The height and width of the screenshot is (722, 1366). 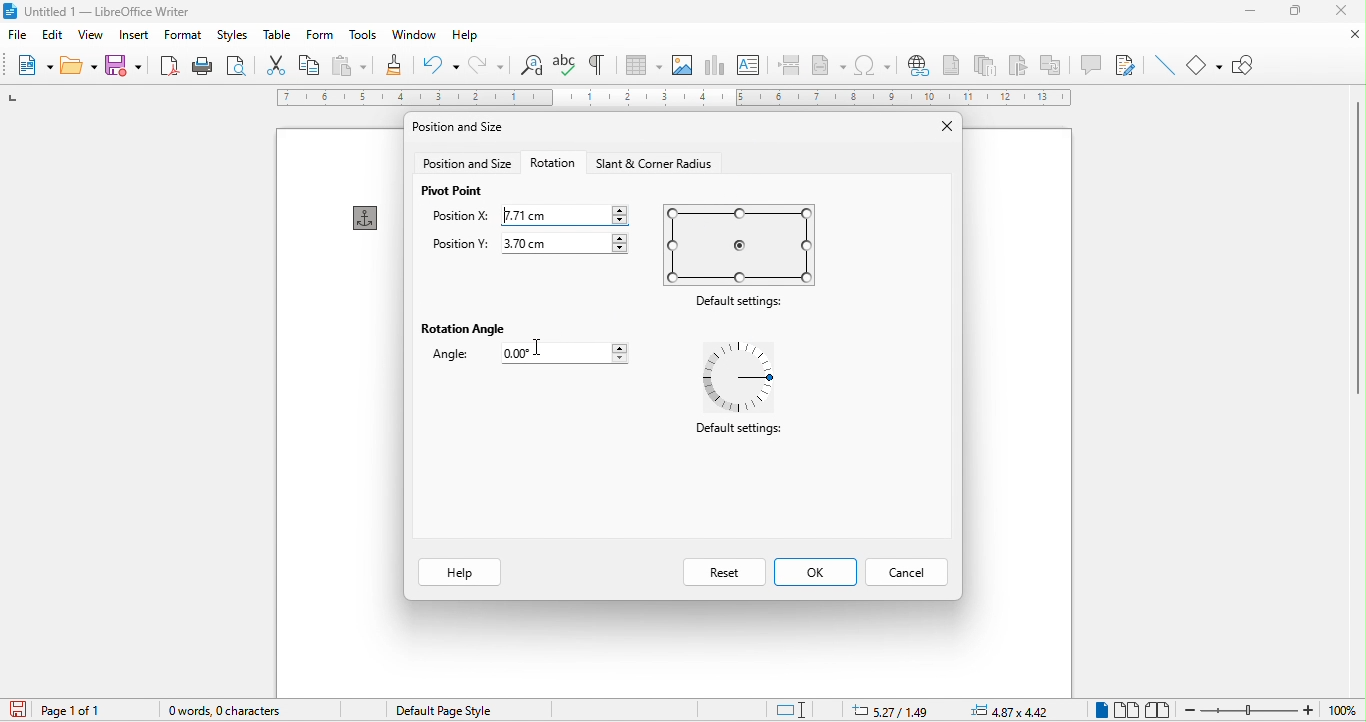 I want to click on 0.00 cm, so click(x=569, y=353).